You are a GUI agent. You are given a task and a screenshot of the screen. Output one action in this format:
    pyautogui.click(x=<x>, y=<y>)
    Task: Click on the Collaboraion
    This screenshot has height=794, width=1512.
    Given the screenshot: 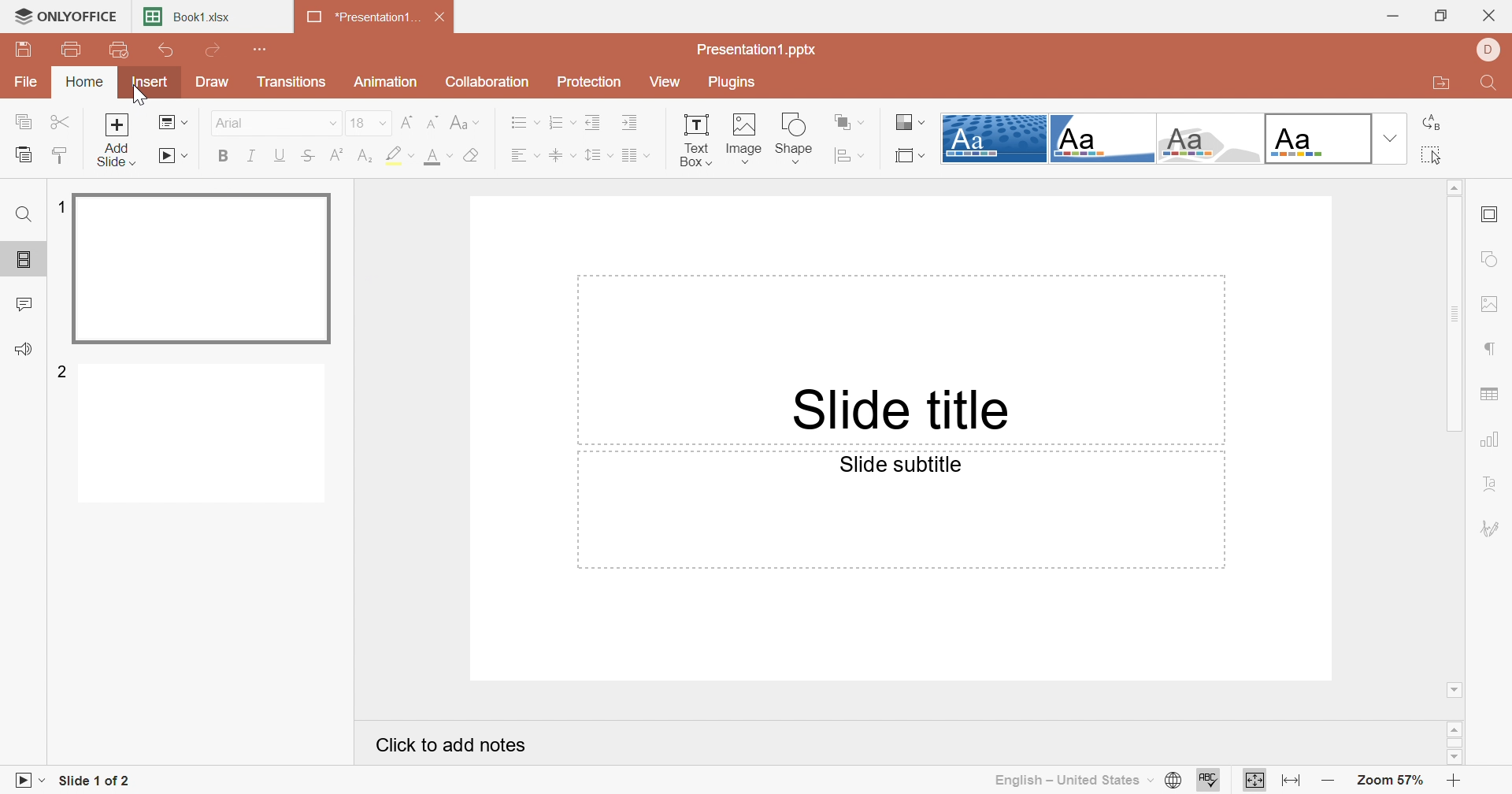 What is the action you would take?
    pyautogui.click(x=490, y=84)
    